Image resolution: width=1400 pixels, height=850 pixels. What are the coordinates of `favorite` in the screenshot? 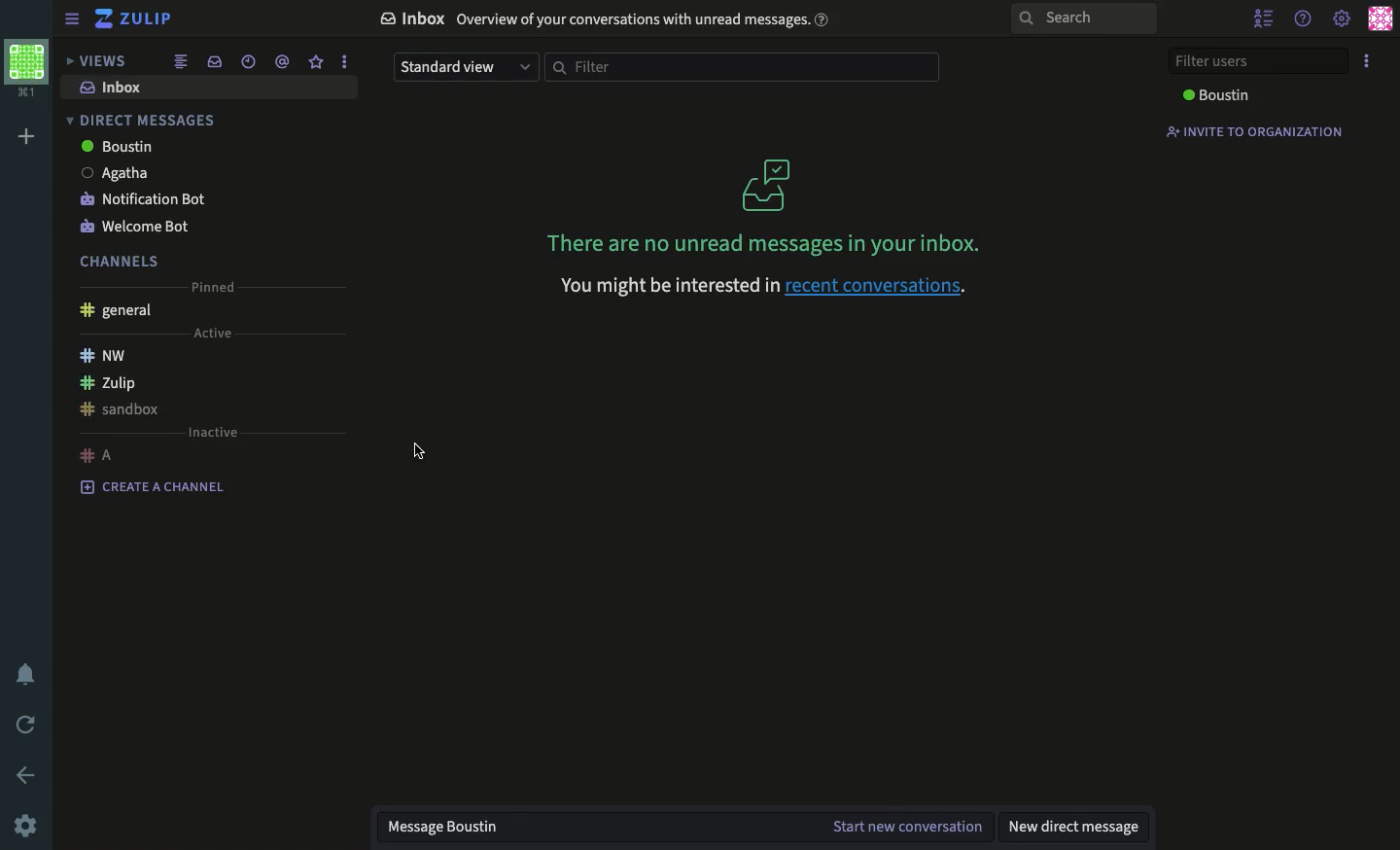 It's located at (316, 62).